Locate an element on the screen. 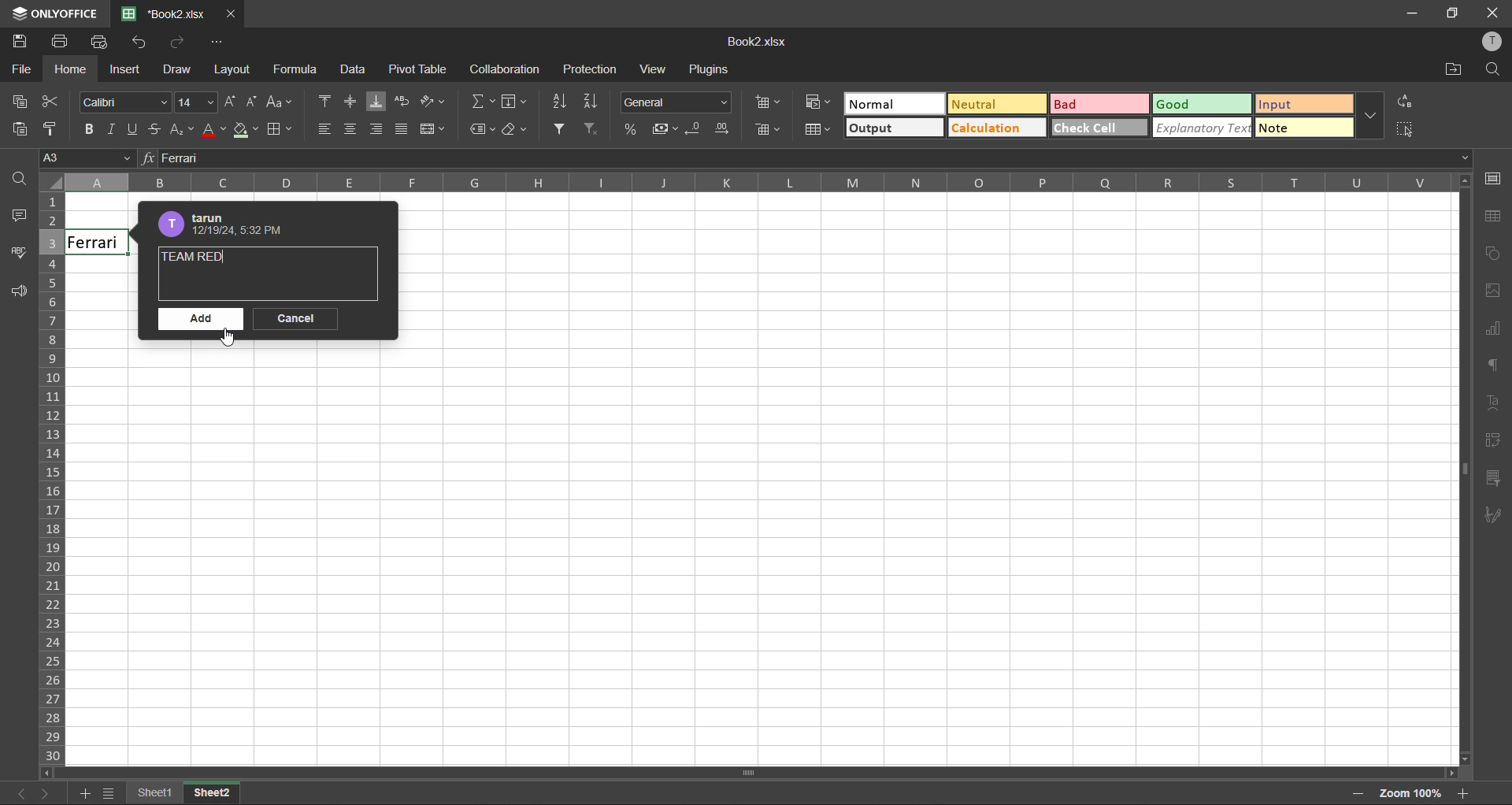  comments is located at coordinates (24, 221).